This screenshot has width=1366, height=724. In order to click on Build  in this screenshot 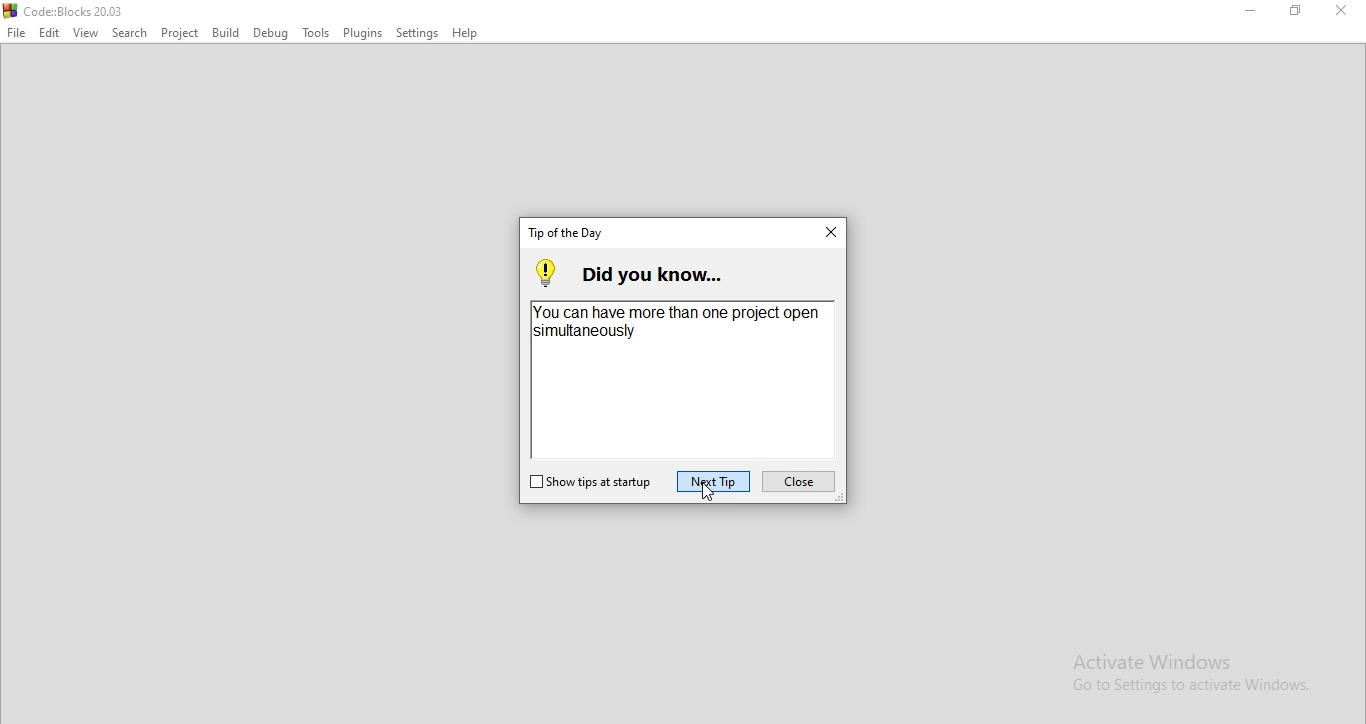, I will do `click(226, 34)`.